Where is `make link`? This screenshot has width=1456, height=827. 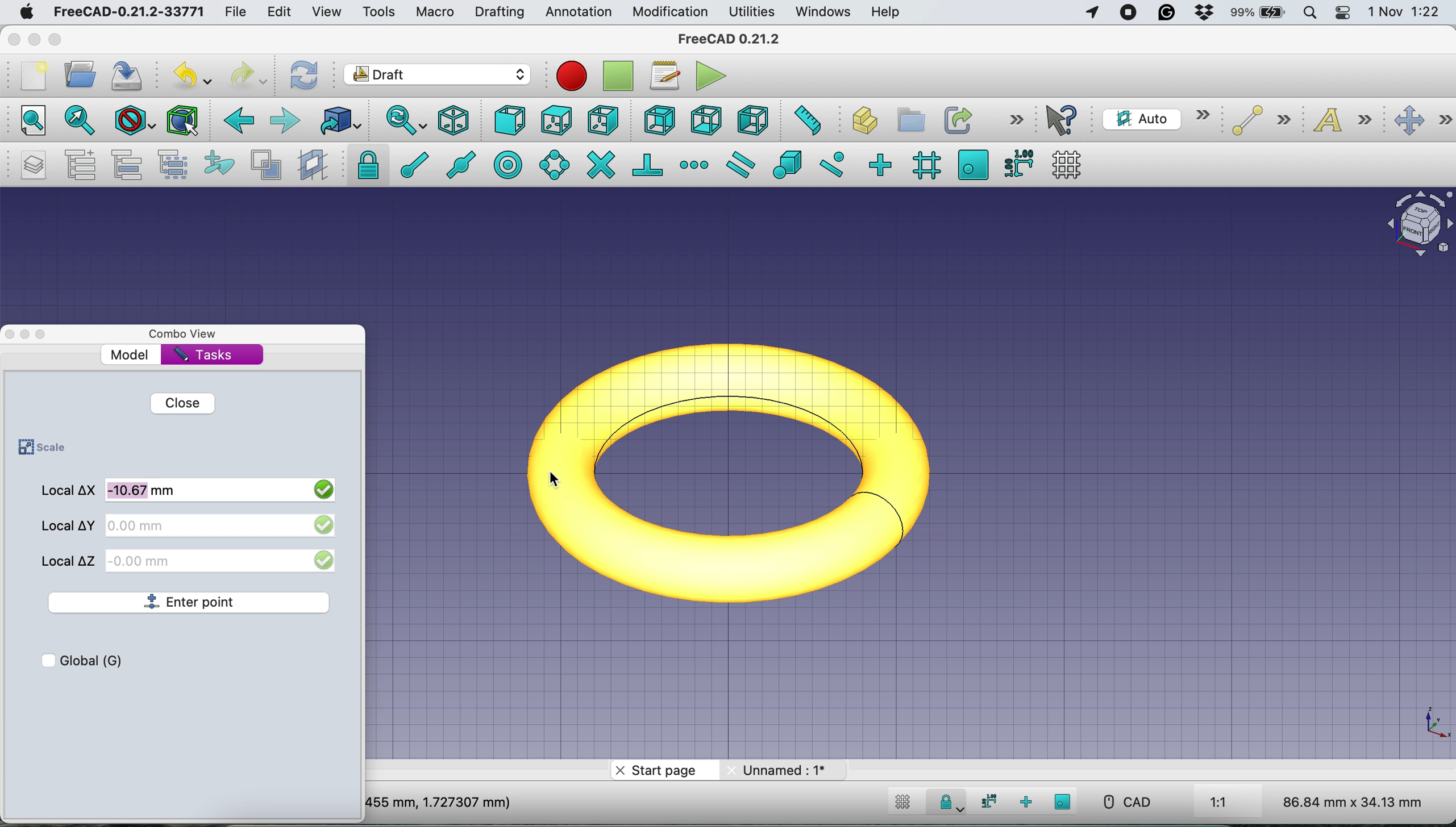 make link is located at coordinates (956, 119).